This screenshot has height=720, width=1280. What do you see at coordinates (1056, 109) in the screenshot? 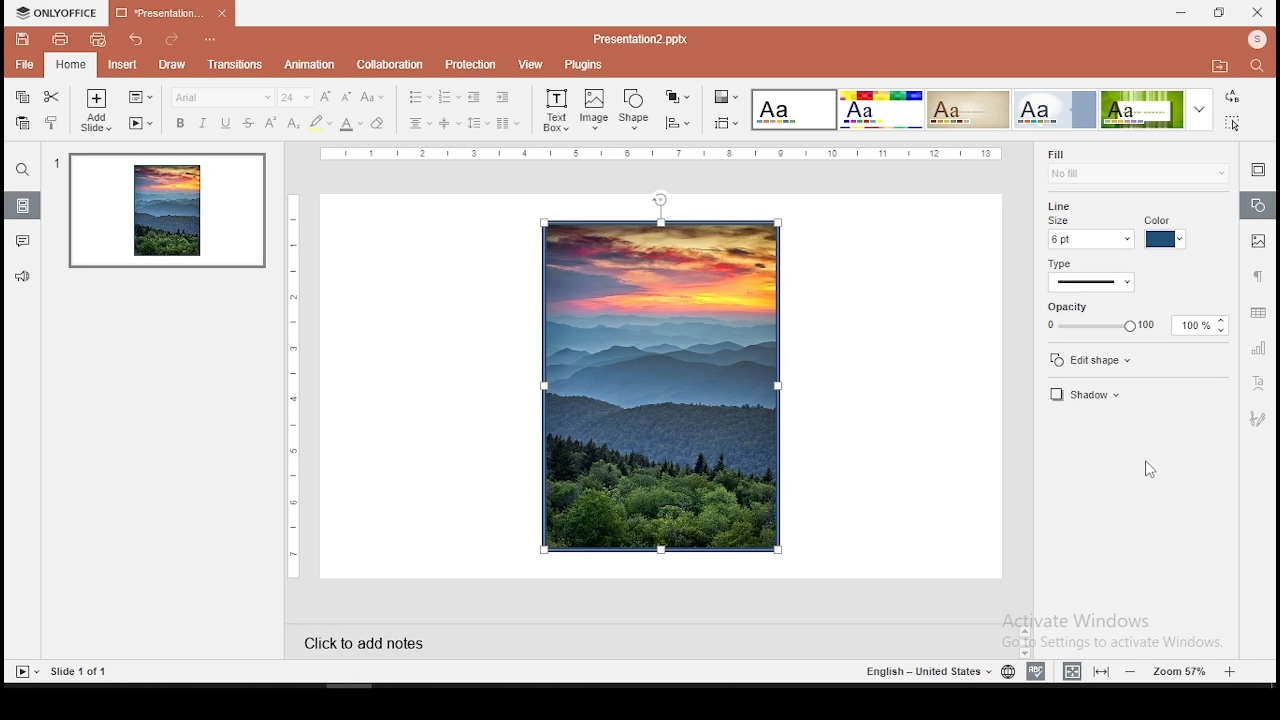
I see `theme ` at bounding box center [1056, 109].